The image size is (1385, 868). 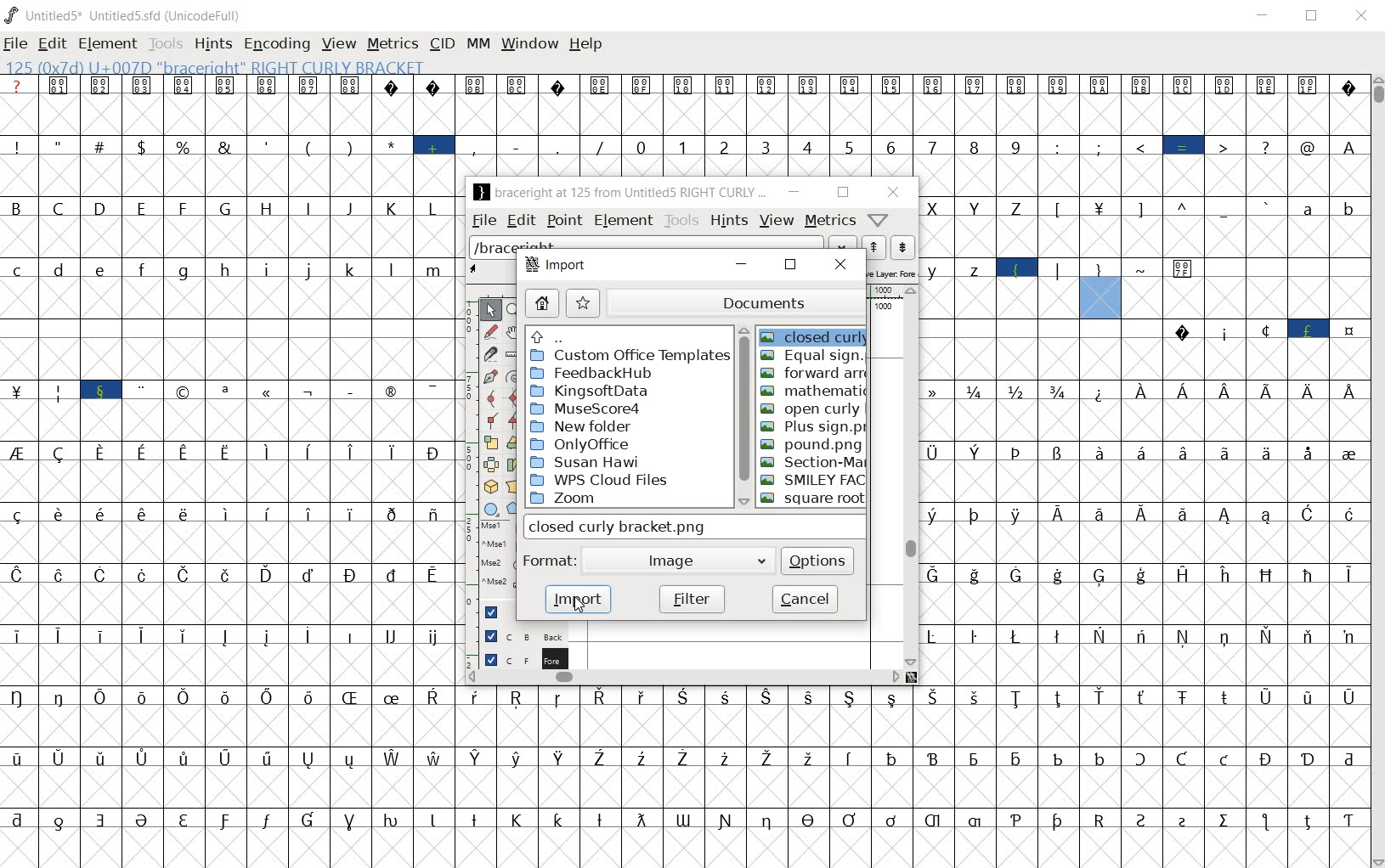 I want to click on glyph characters, so click(x=1144, y=502).